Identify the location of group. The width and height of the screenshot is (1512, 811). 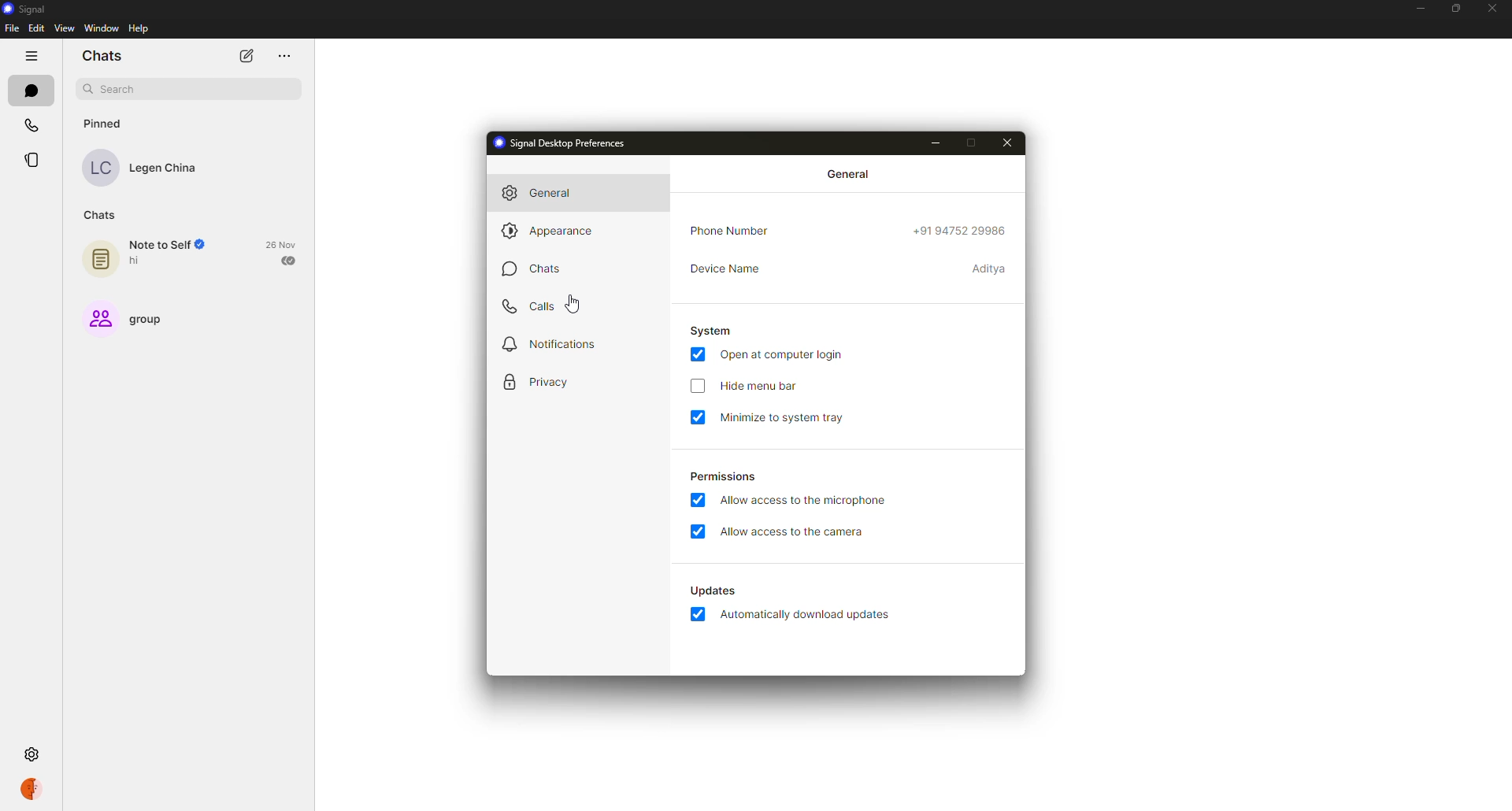
(124, 319).